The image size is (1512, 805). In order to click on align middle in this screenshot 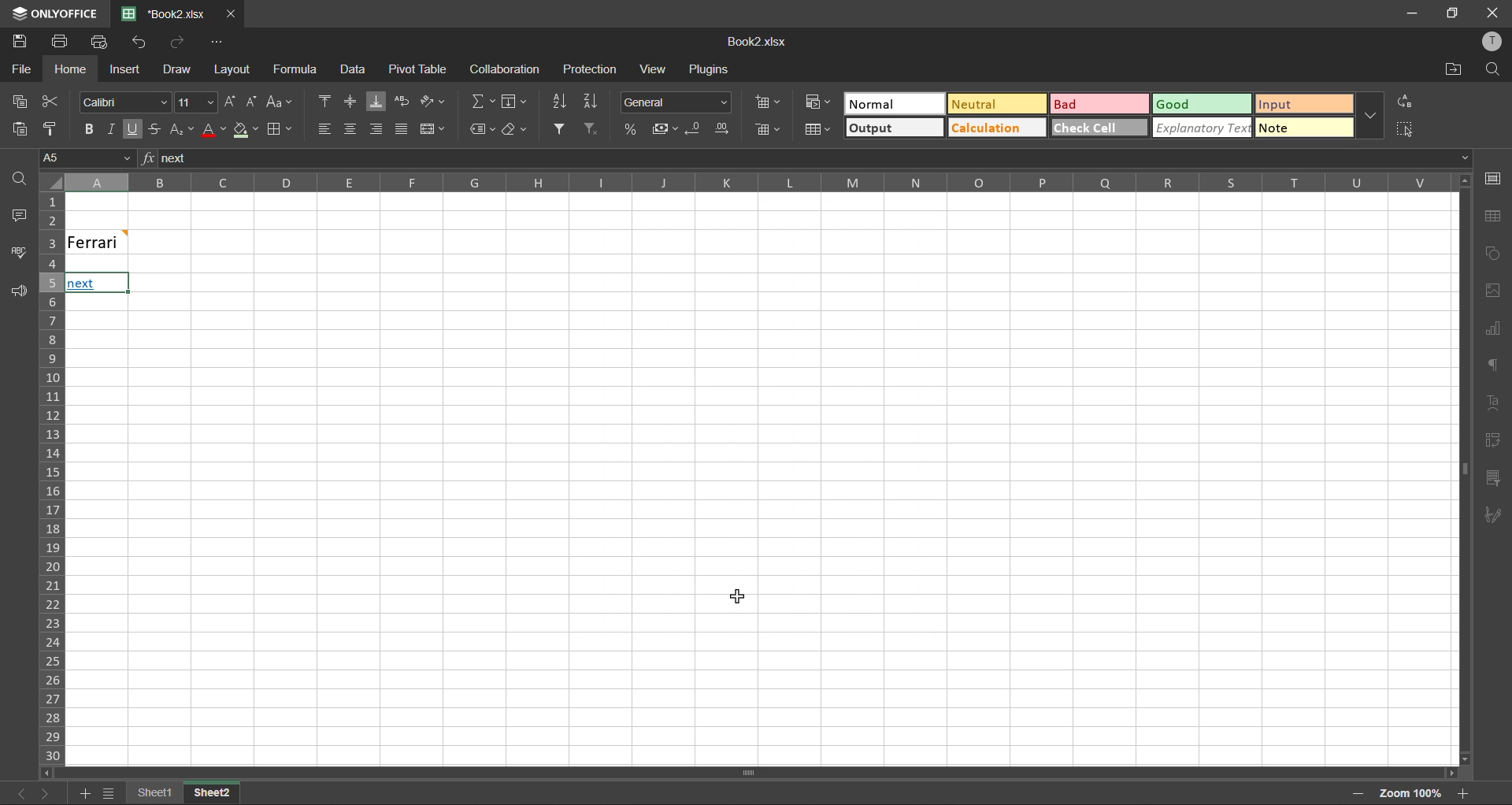, I will do `click(350, 101)`.